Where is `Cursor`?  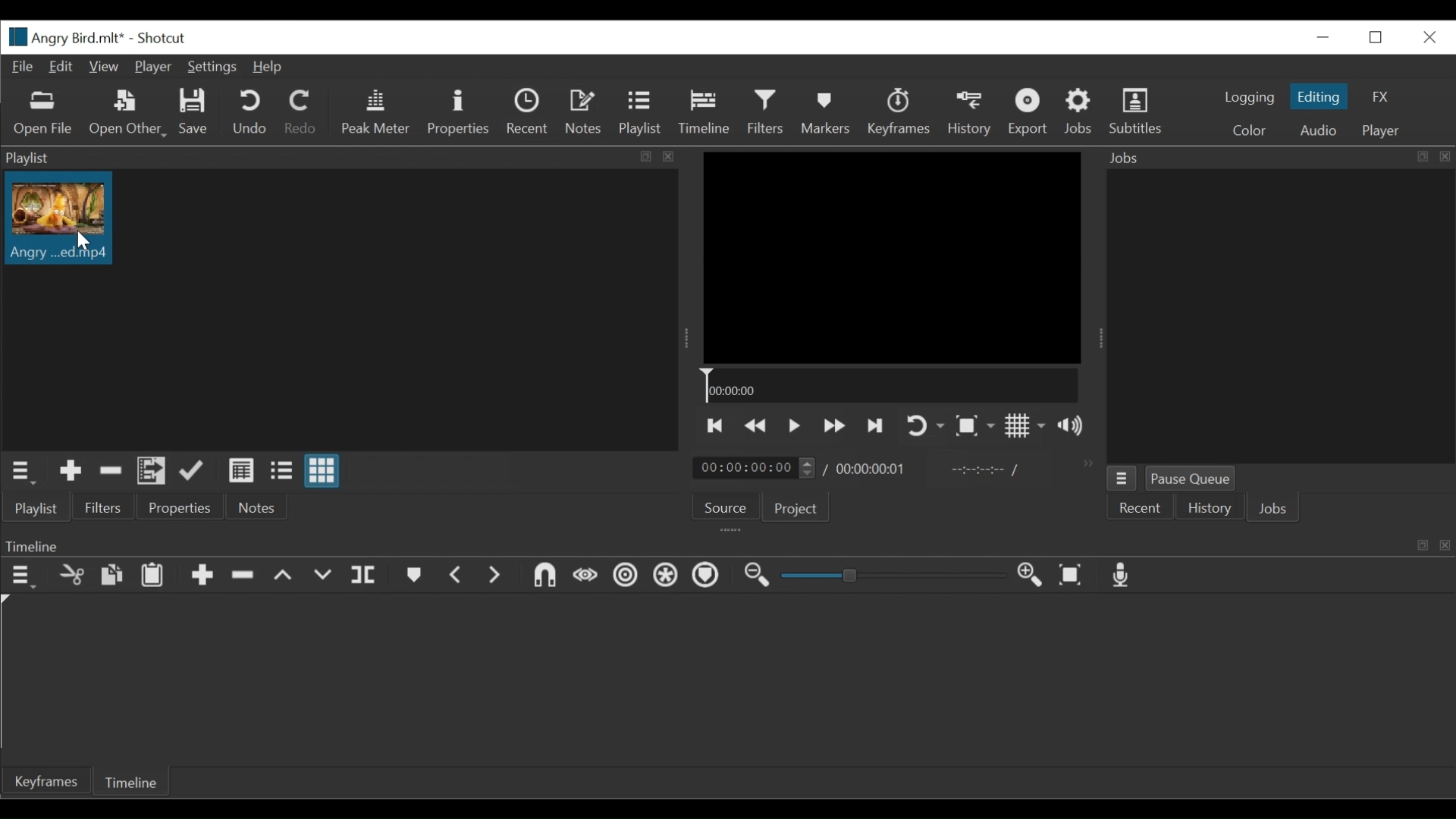
Cursor is located at coordinates (81, 242).